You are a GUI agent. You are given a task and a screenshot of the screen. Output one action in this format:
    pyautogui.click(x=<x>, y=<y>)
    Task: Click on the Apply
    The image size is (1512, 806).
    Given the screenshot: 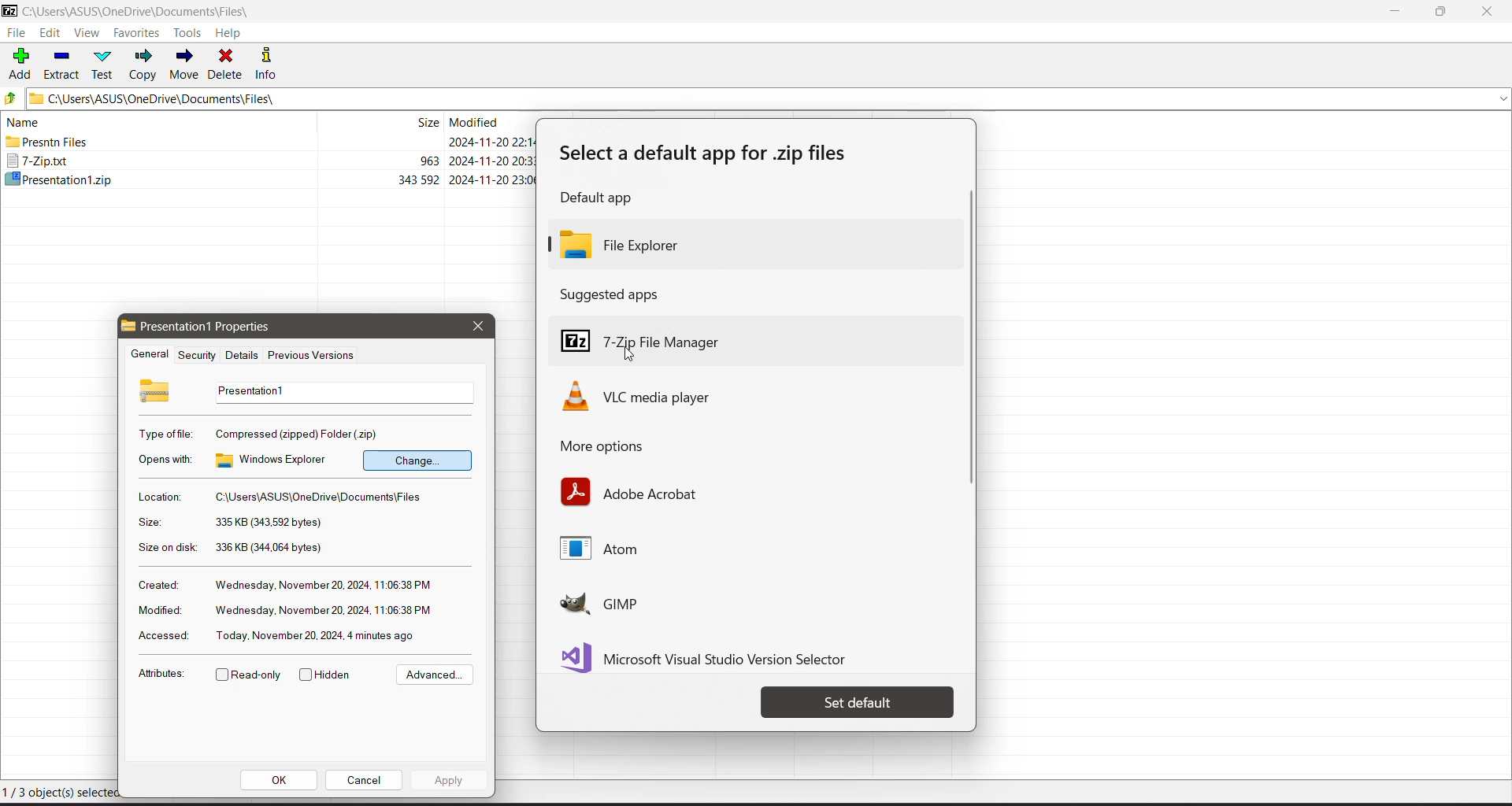 What is the action you would take?
    pyautogui.click(x=449, y=779)
    